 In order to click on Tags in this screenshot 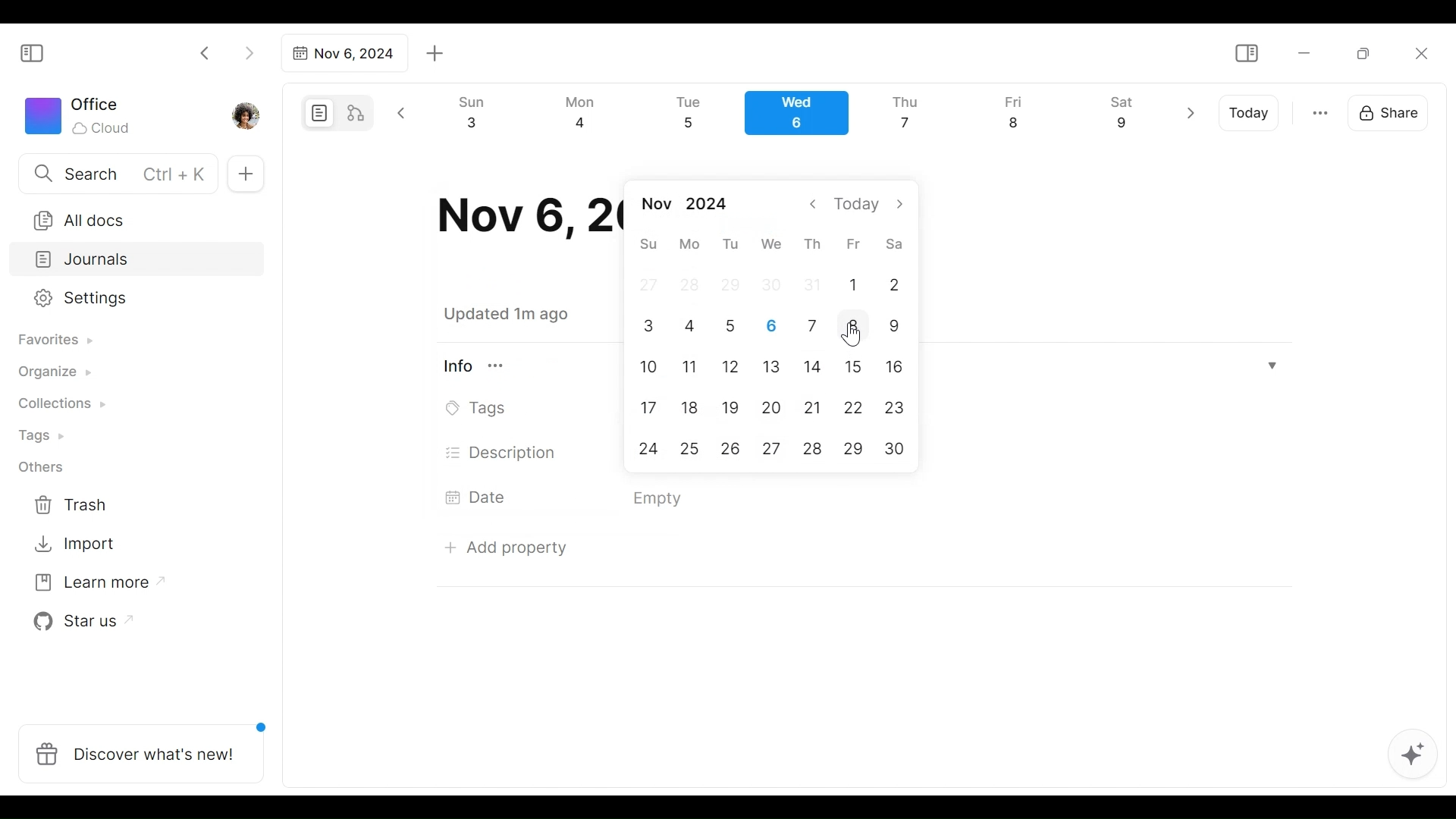, I will do `click(480, 409)`.